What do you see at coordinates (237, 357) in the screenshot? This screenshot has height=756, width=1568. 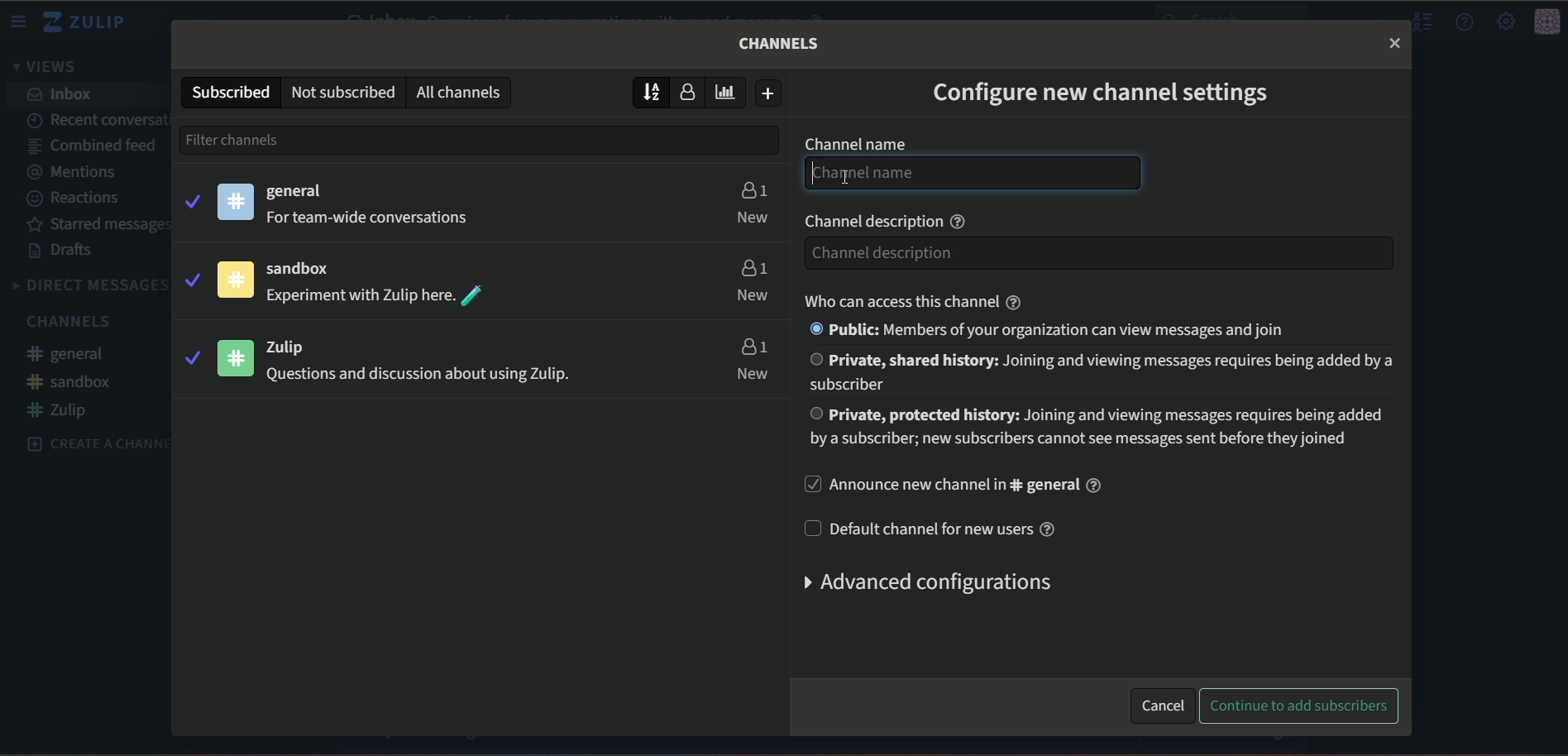 I see `icon` at bounding box center [237, 357].